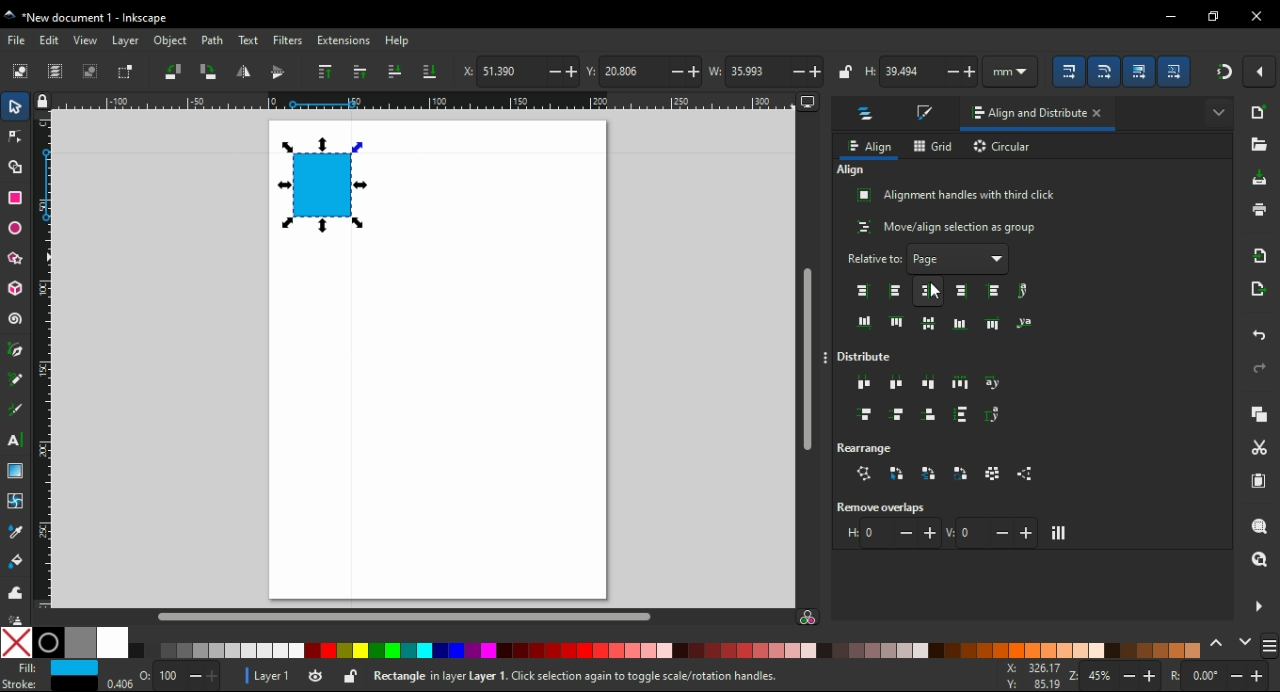 This screenshot has width=1280, height=692. I want to click on distribute horizontally with even spacing between centers, so click(897, 383).